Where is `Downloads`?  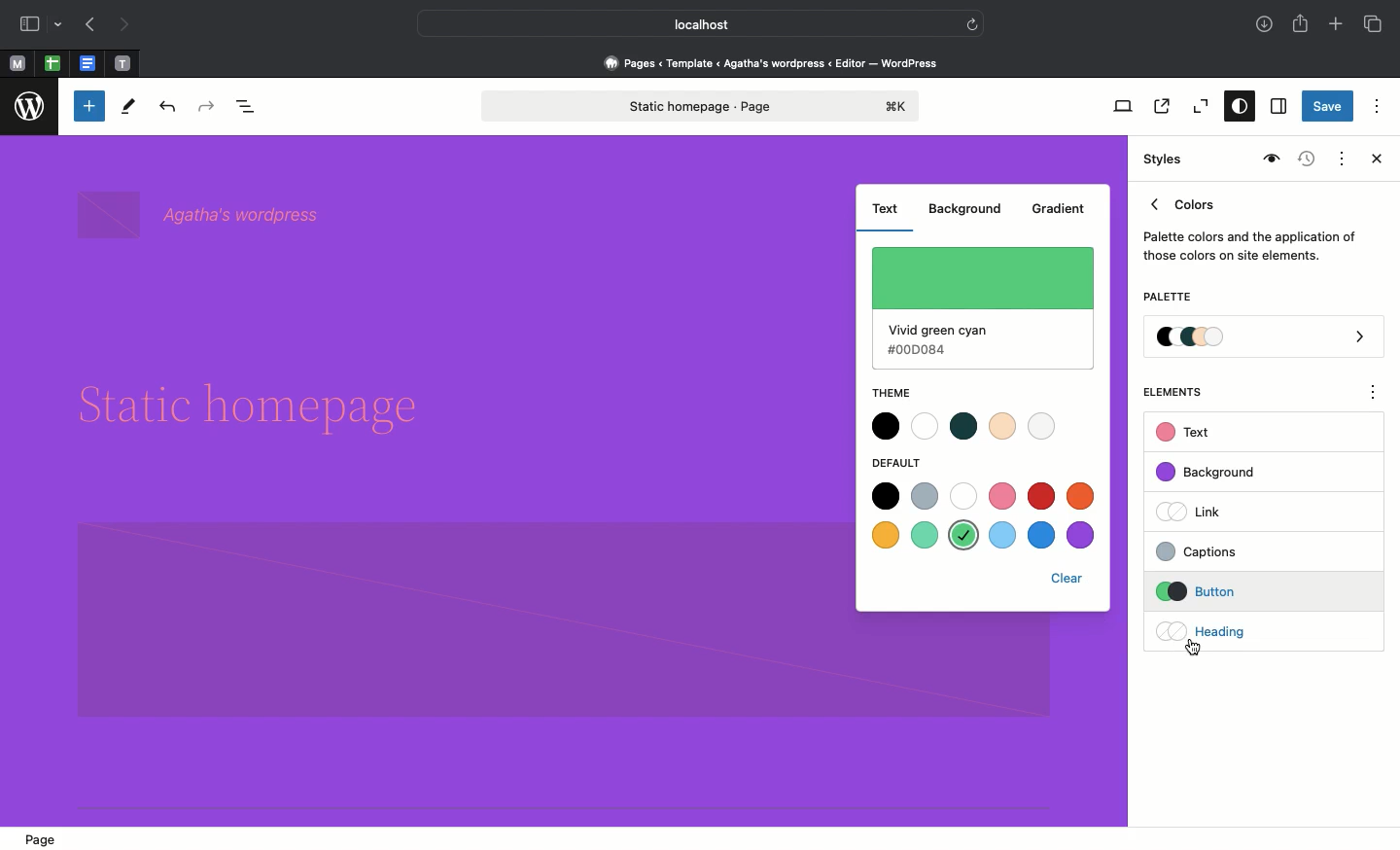
Downloads is located at coordinates (1266, 26).